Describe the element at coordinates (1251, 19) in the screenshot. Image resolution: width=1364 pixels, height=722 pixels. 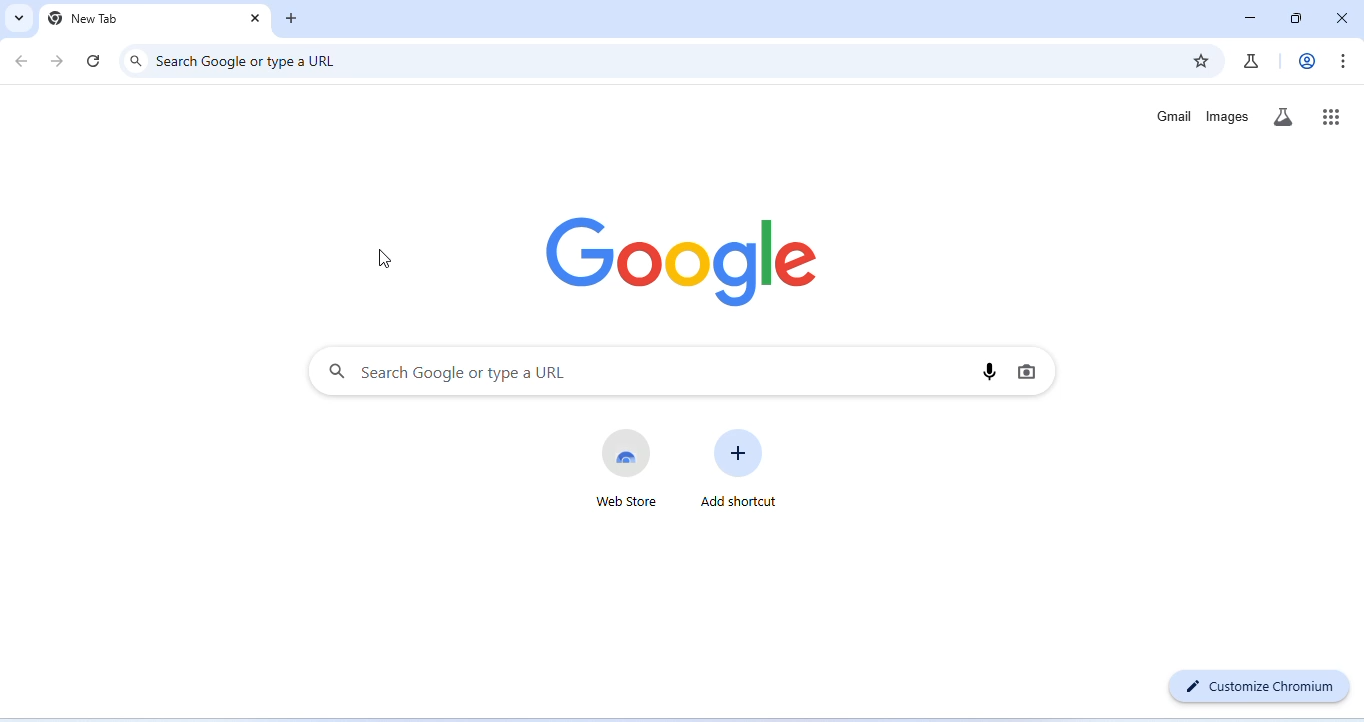
I see `minimize` at that location.